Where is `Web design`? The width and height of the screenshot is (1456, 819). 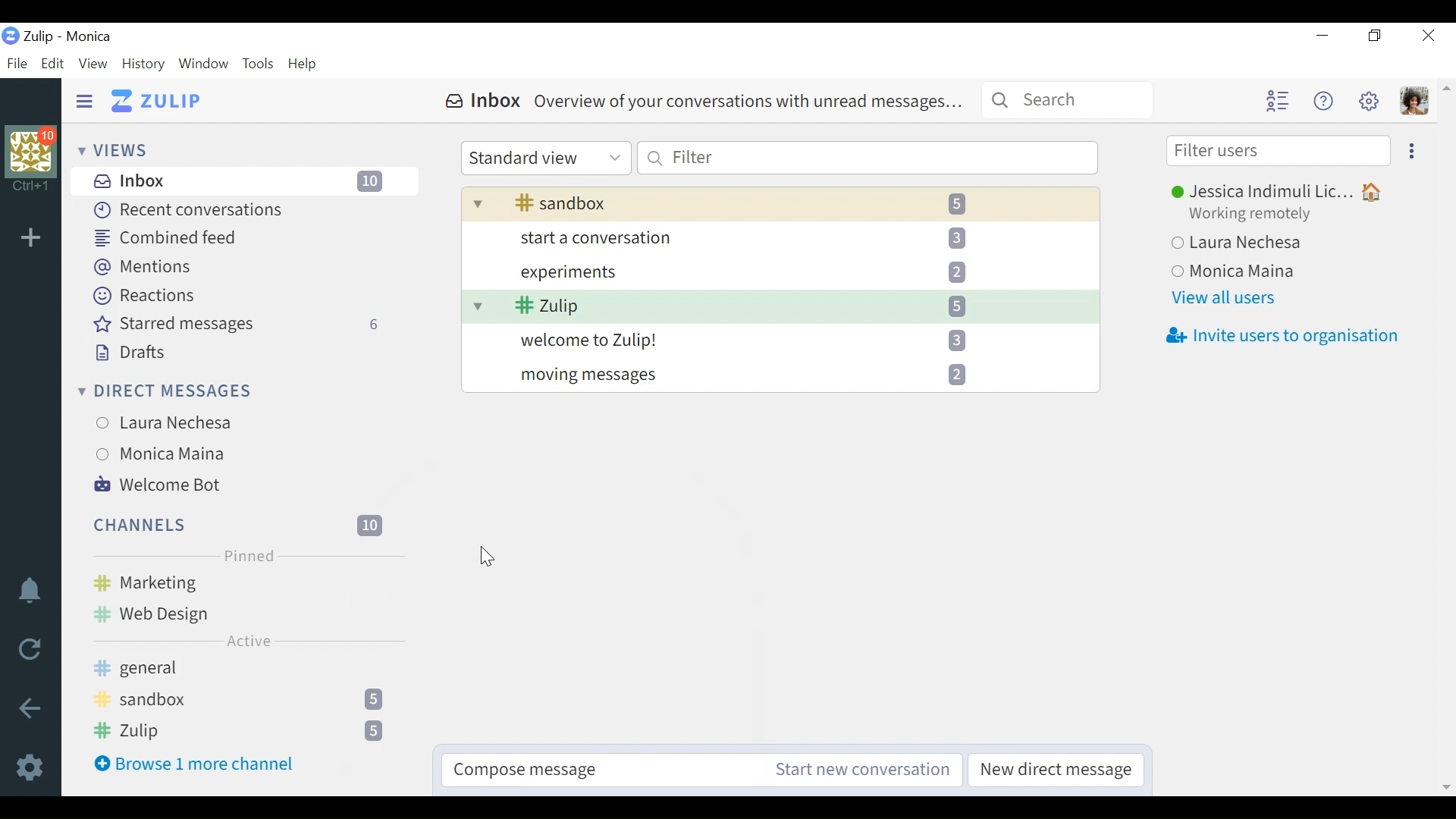 Web design is located at coordinates (240, 612).